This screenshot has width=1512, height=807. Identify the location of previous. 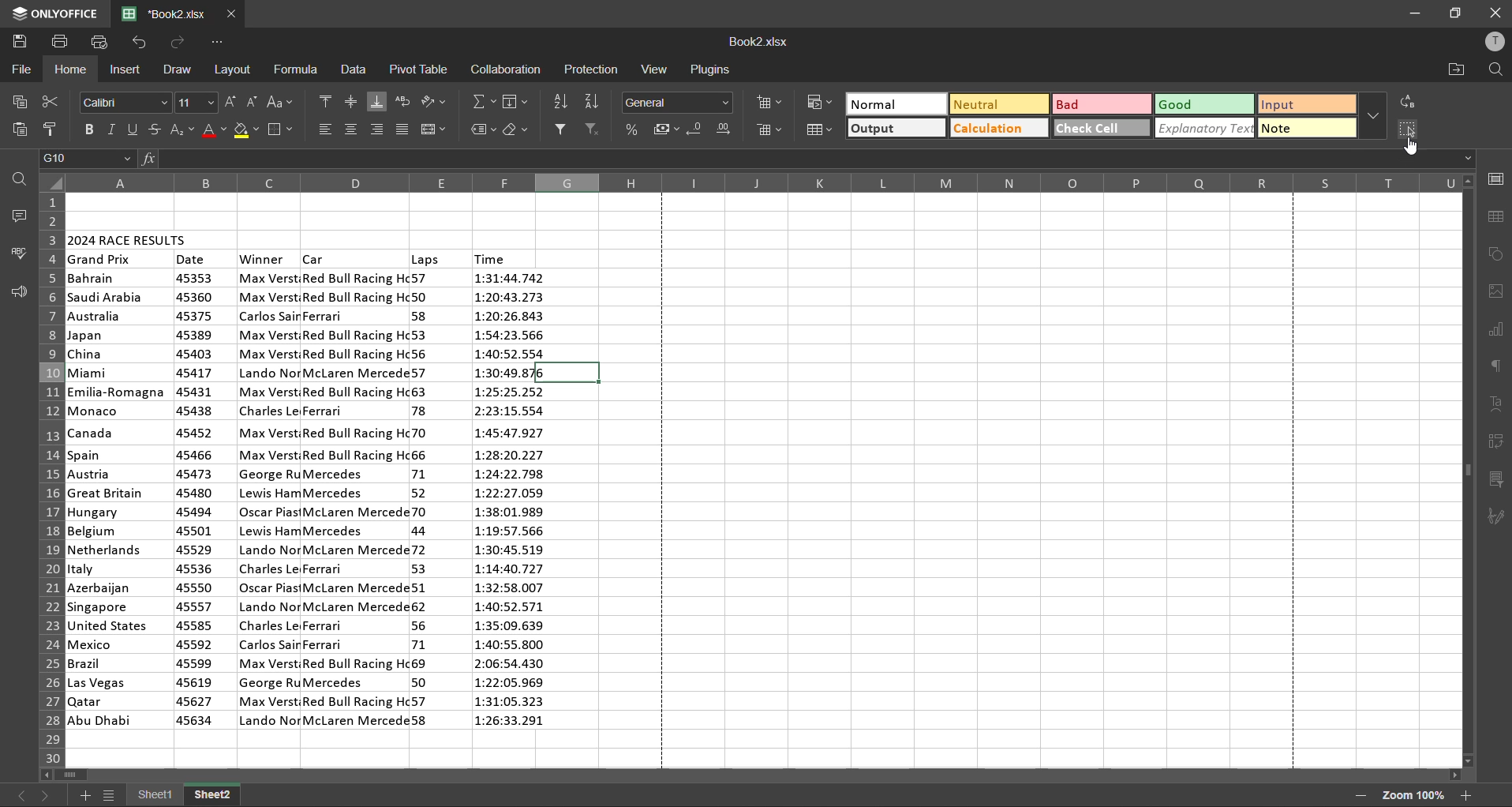
(15, 794).